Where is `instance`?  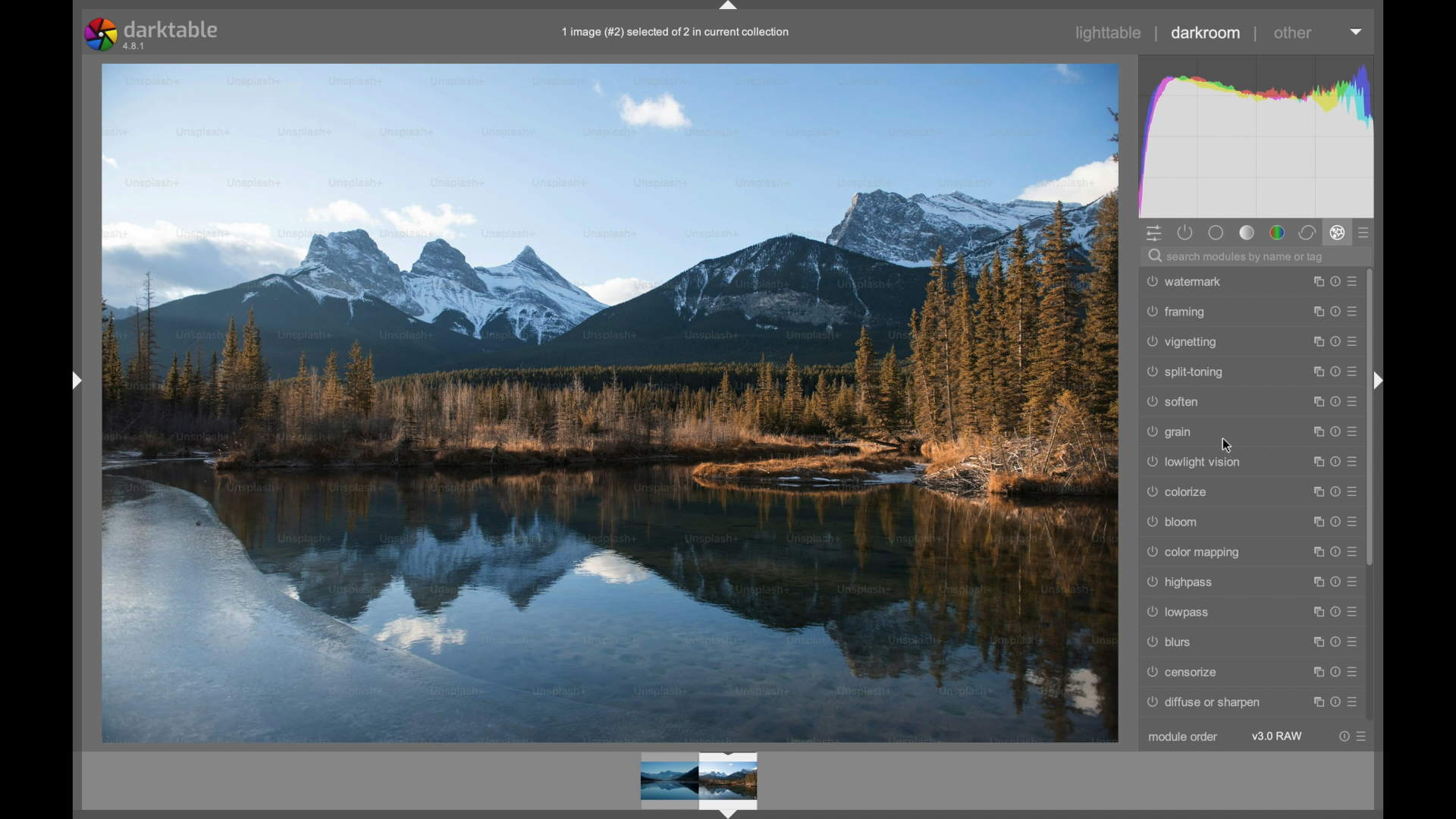 instance is located at coordinates (1314, 673).